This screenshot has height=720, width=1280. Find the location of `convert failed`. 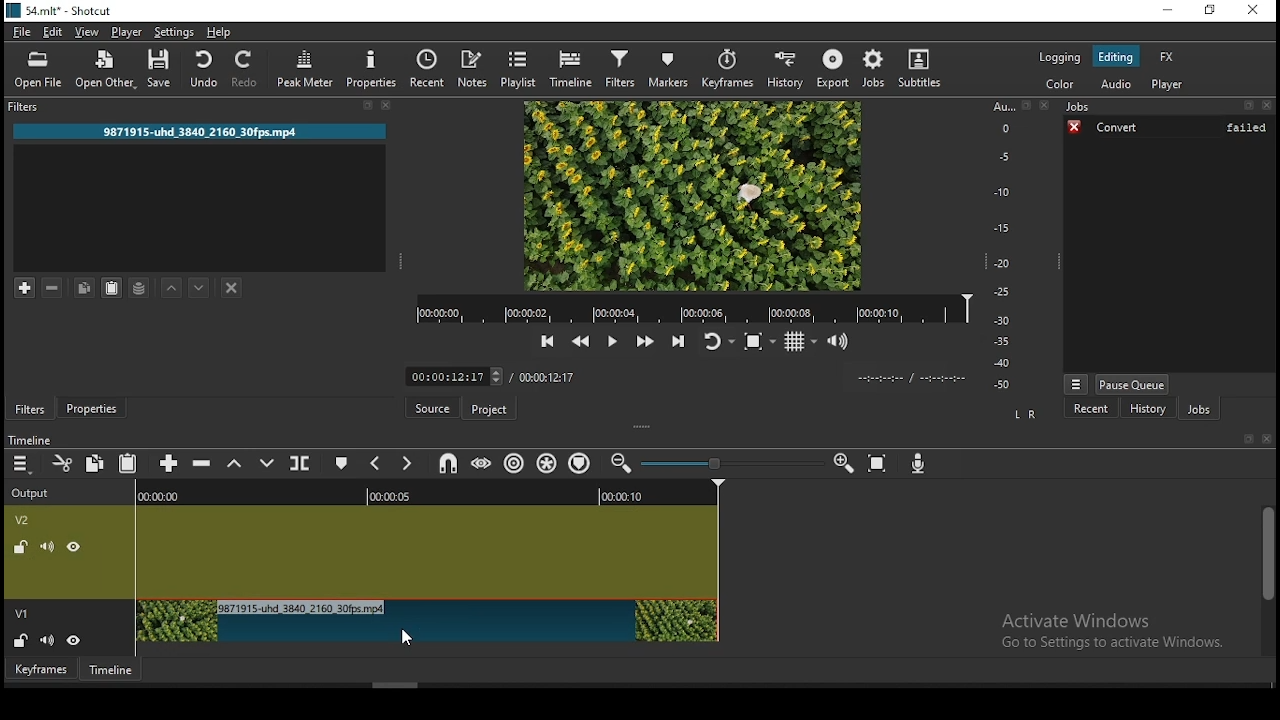

convert failed is located at coordinates (1169, 129).